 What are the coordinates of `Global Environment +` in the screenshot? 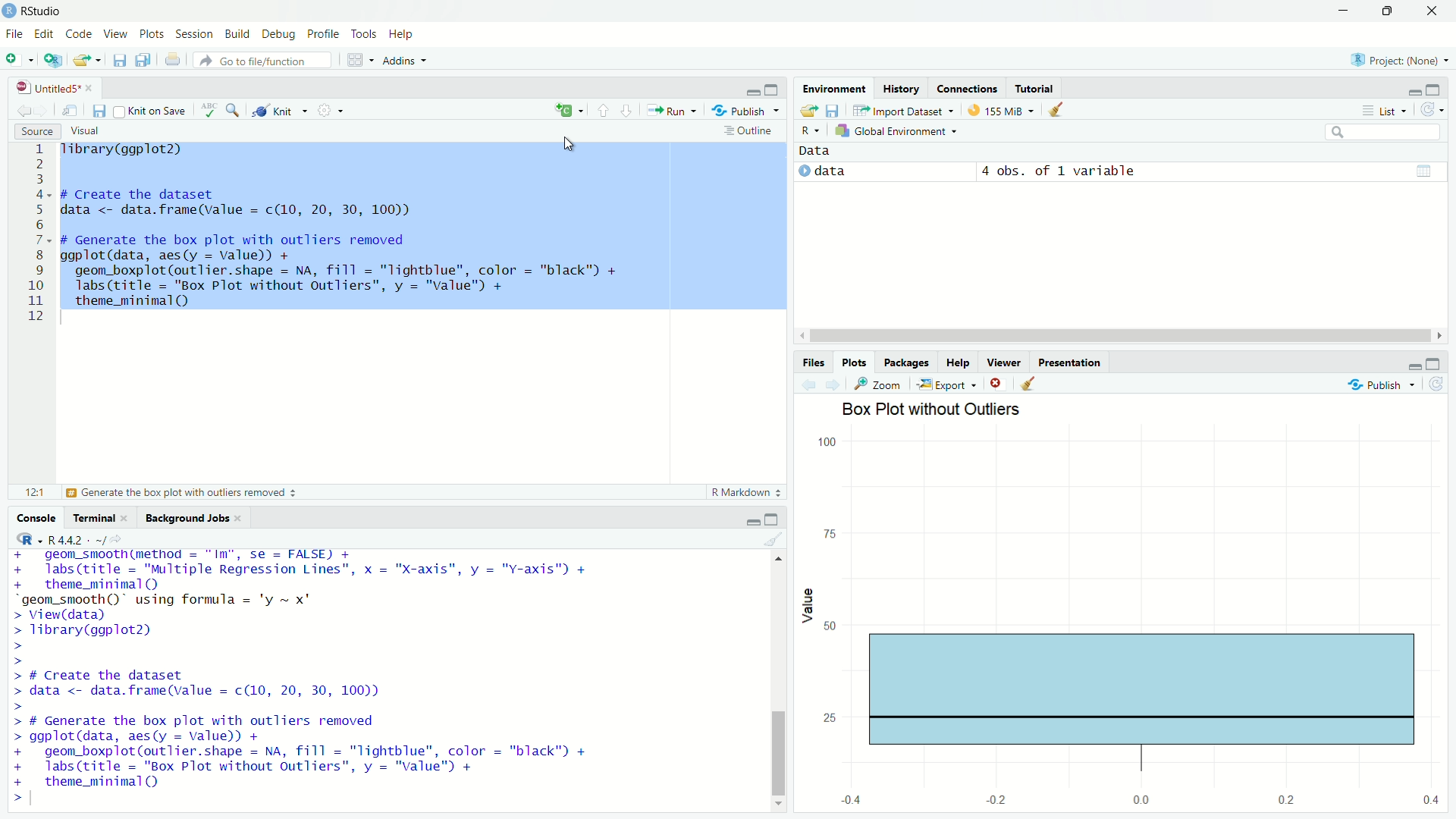 It's located at (899, 132).